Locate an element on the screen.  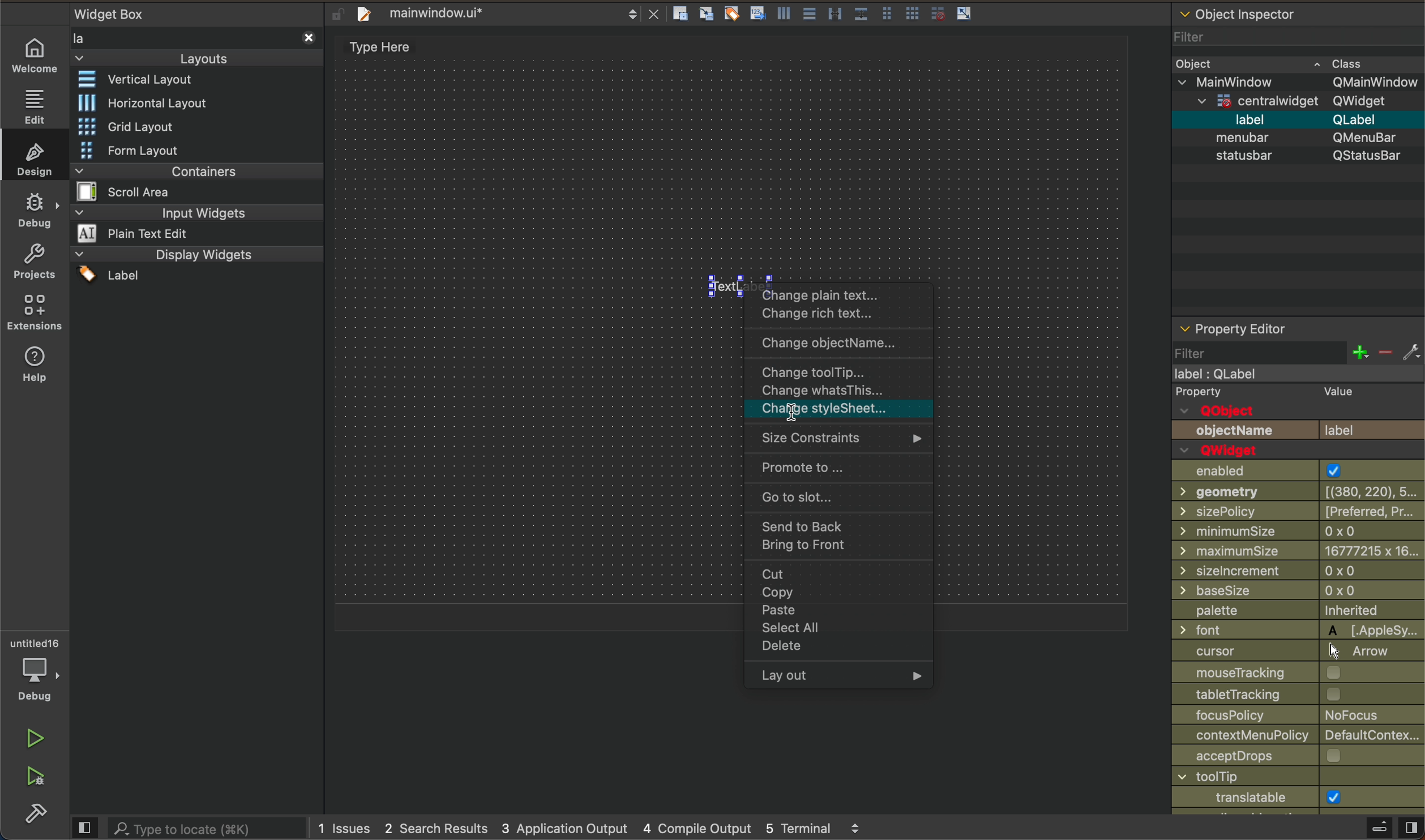
size policy is located at coordinates (1299, 512).